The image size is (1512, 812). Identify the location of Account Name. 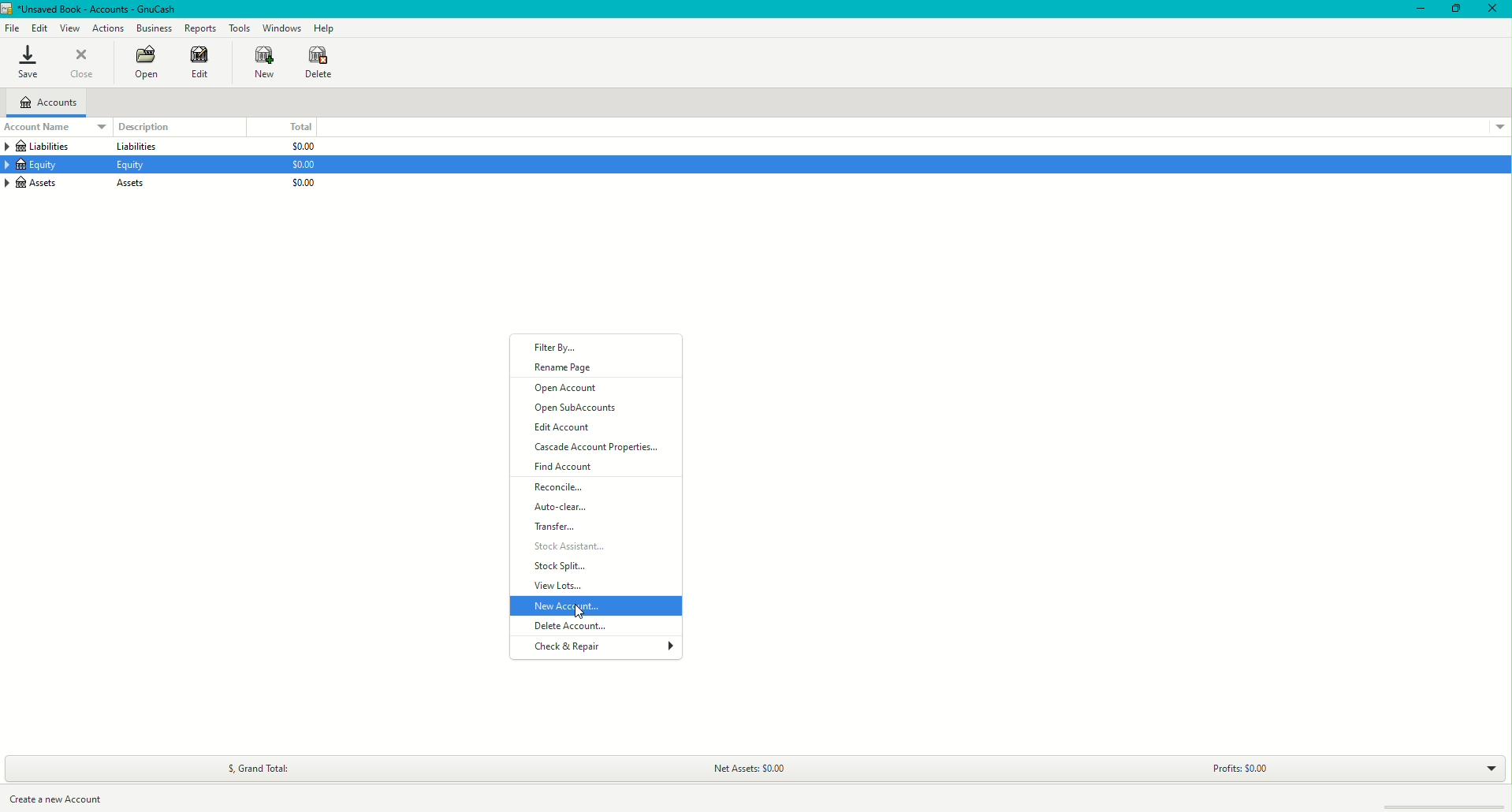
(47, 127).